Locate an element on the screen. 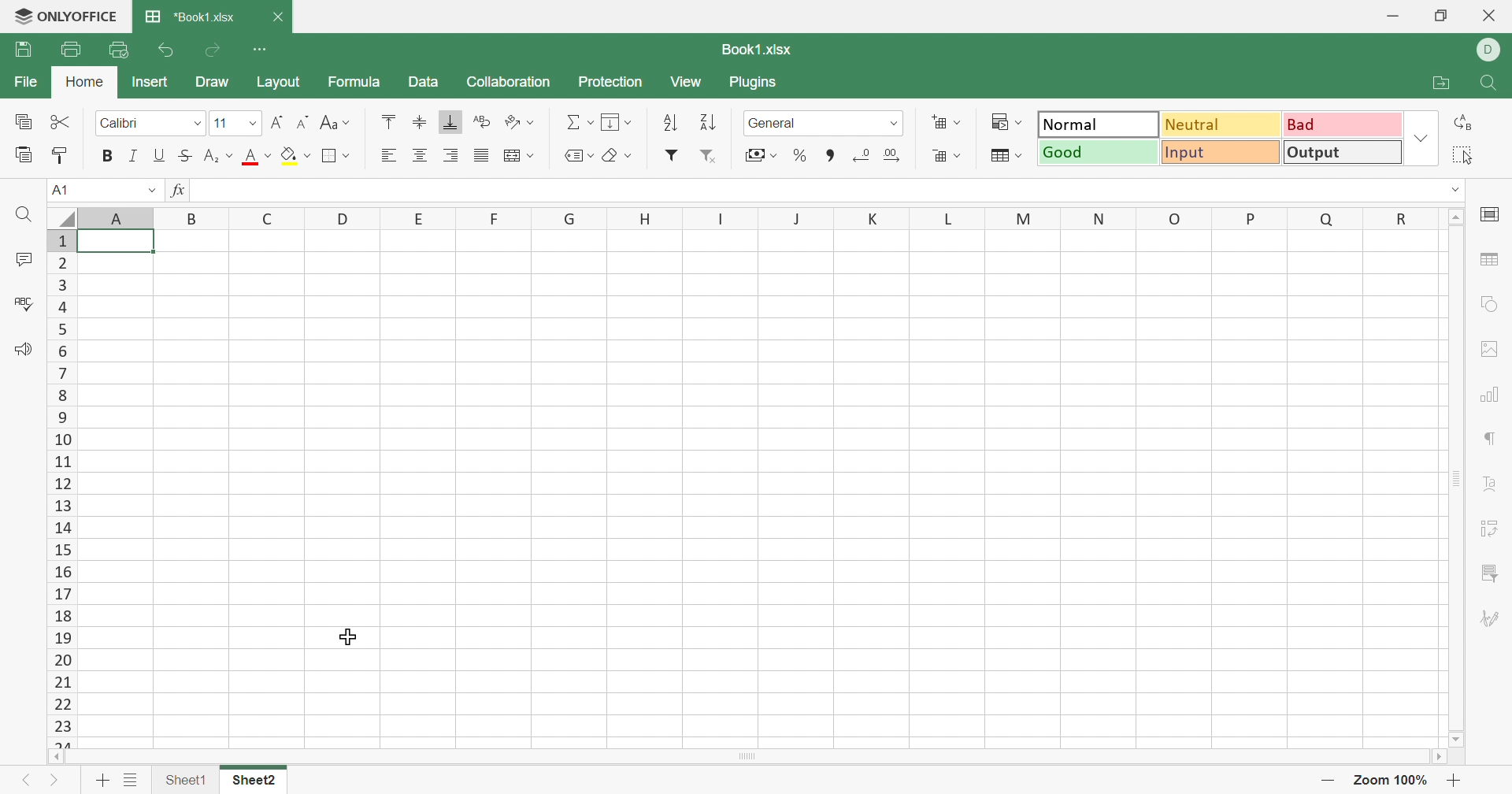 The image size is (1512, 794). fx is located at coordinates (179, 189).